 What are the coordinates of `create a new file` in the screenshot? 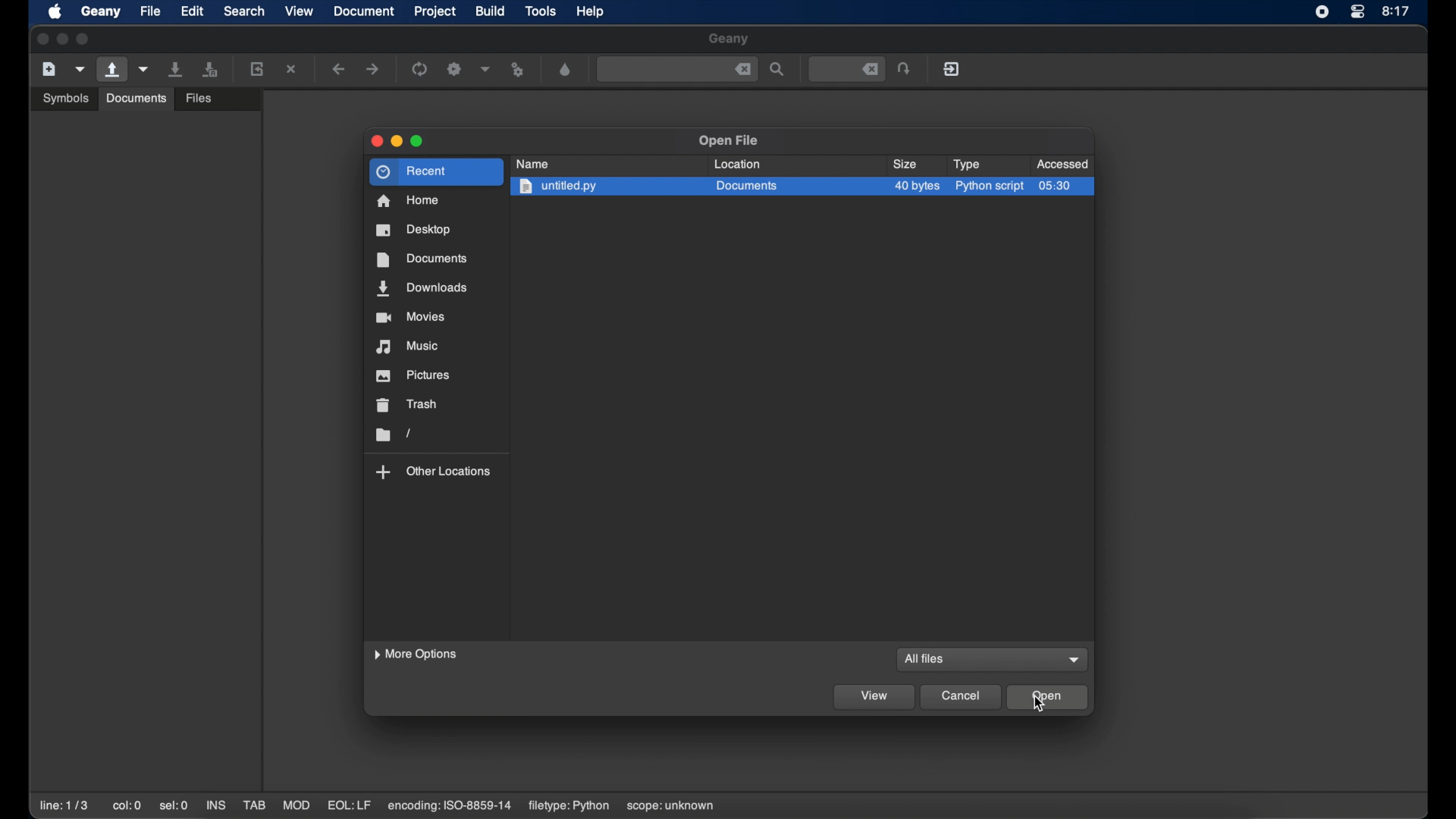 It's located at (49, 69).